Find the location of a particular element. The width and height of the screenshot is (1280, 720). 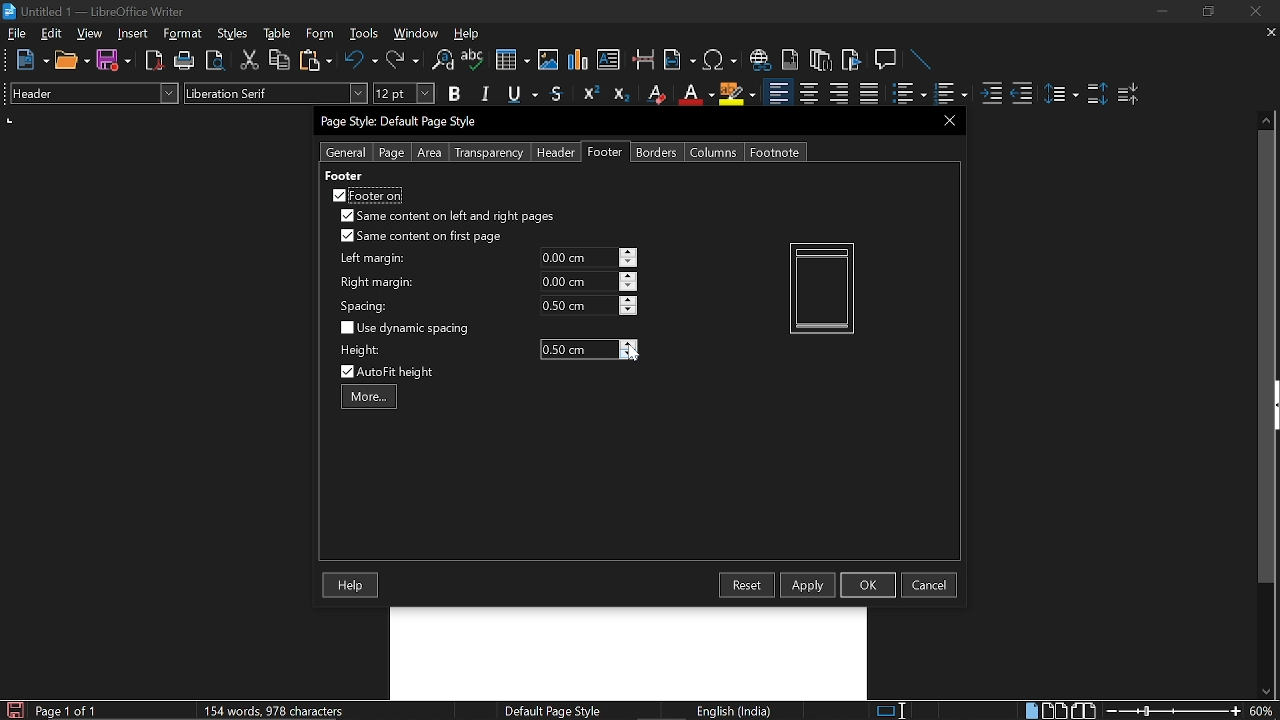

increase spacing is located at coordinates (629, 299).